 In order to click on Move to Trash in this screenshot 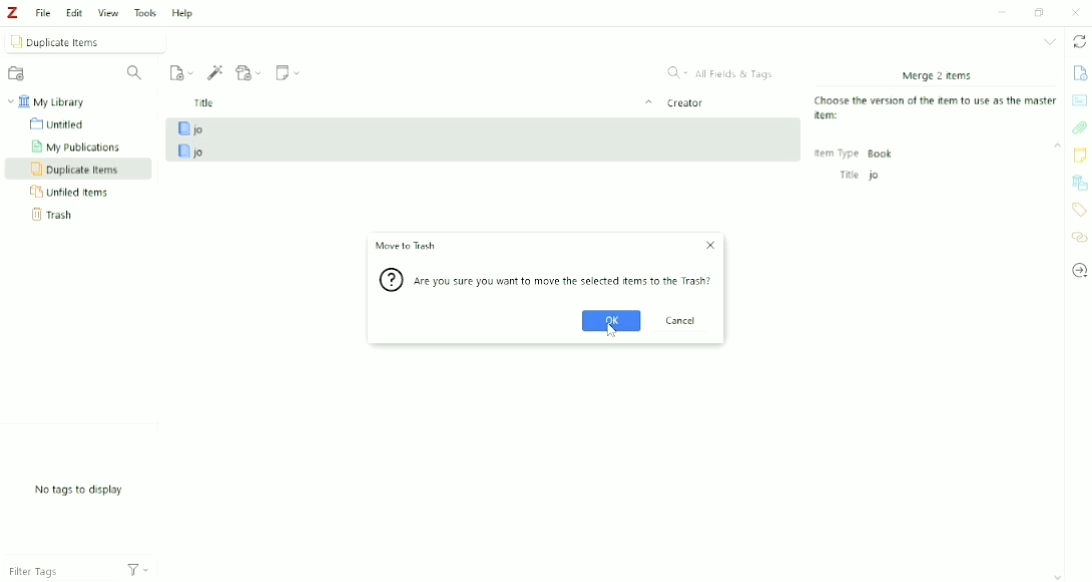, I will do `click(405, 247)`.